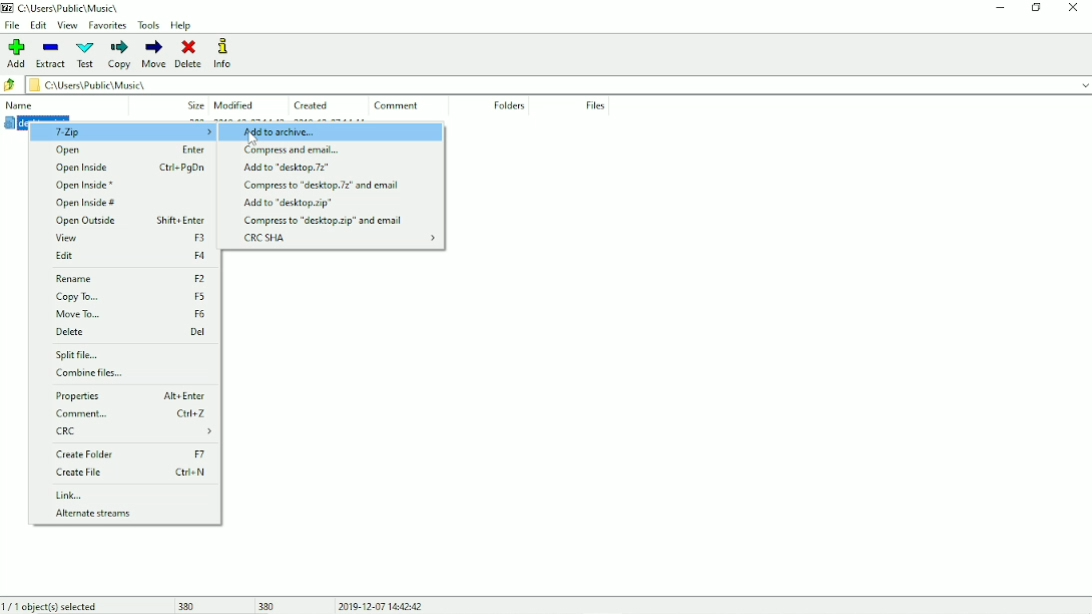 The width and height of the screenshot is (1092, 614). Describe the element at coordinates (70, 8) in the screenshot. I see `File location` at that location.